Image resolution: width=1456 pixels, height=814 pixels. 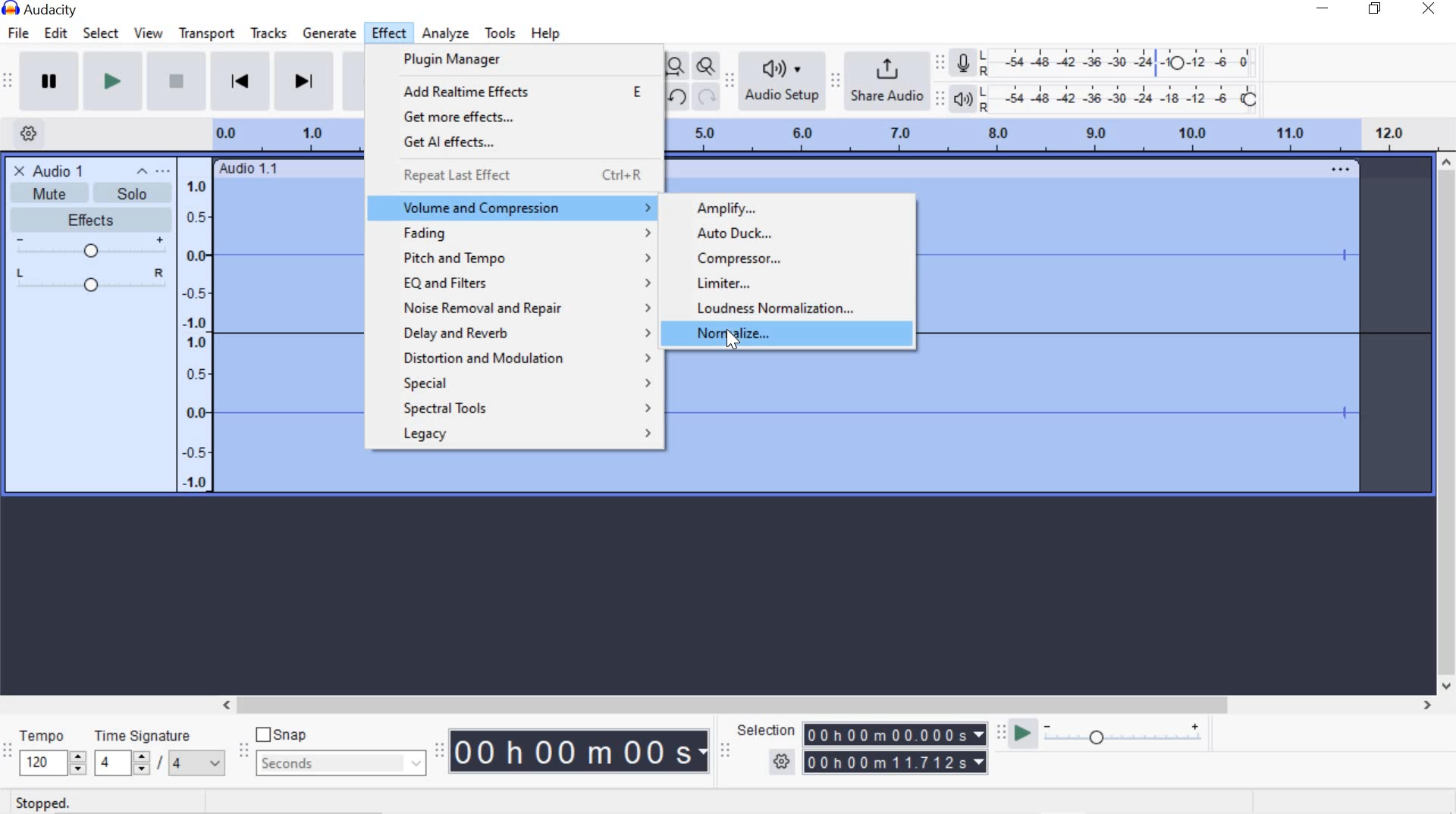 I want to click on Select or Deselect Track, so click(x=90, y=397).